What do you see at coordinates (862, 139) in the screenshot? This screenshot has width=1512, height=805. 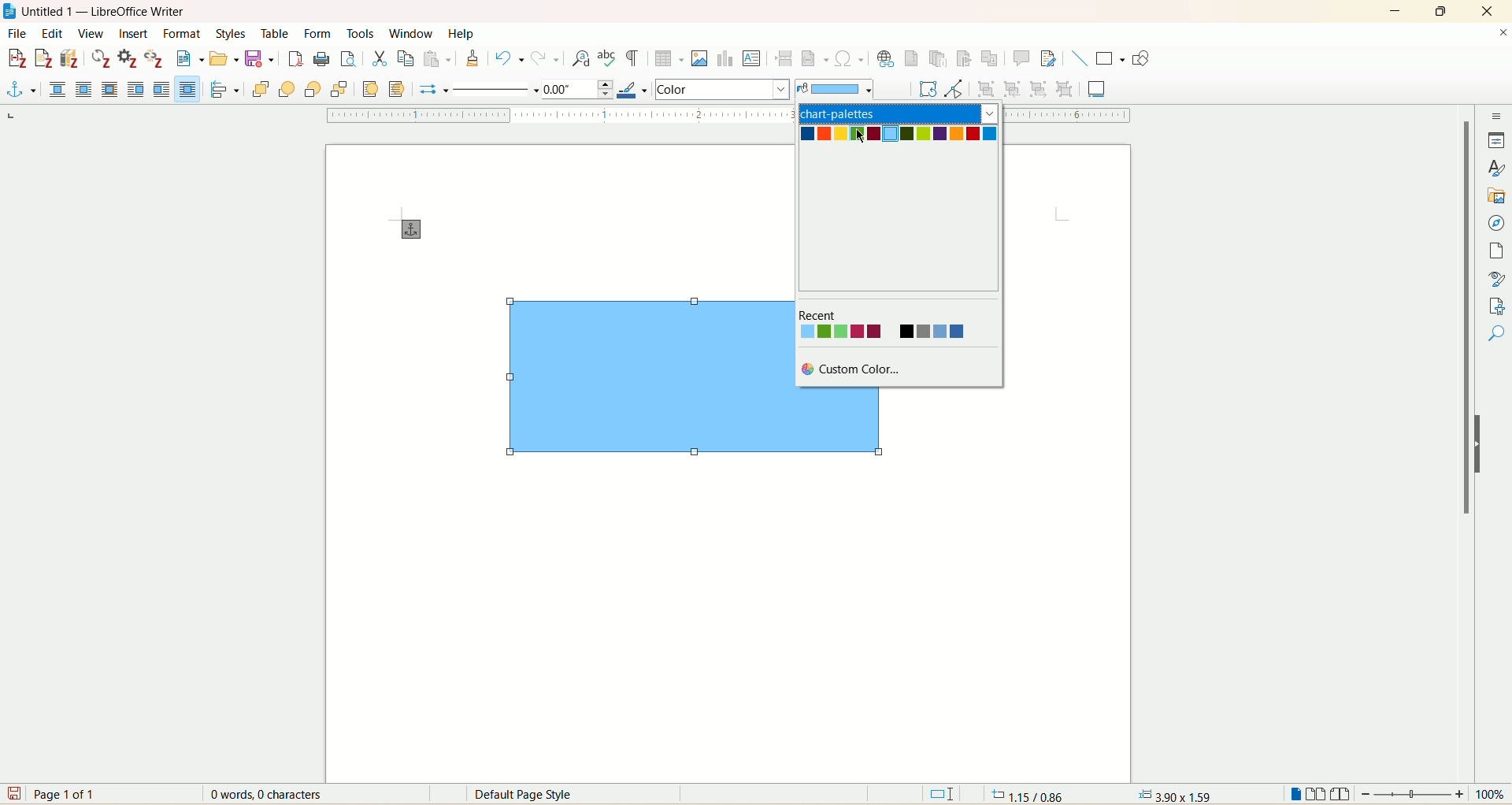 I see `cursor` at bounding box center [862, 139].